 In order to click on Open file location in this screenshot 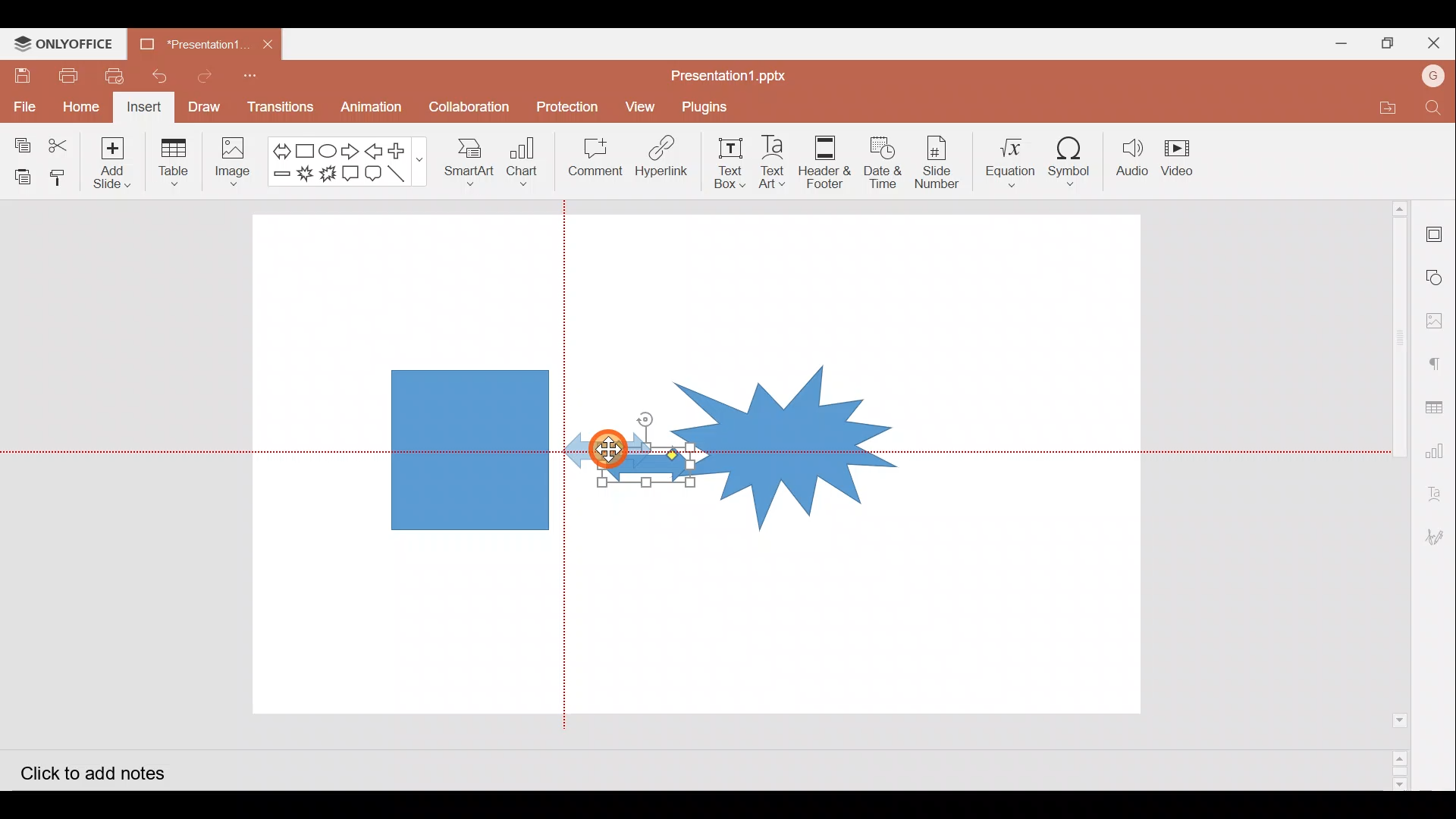, I will do `click(1383, 105)`.